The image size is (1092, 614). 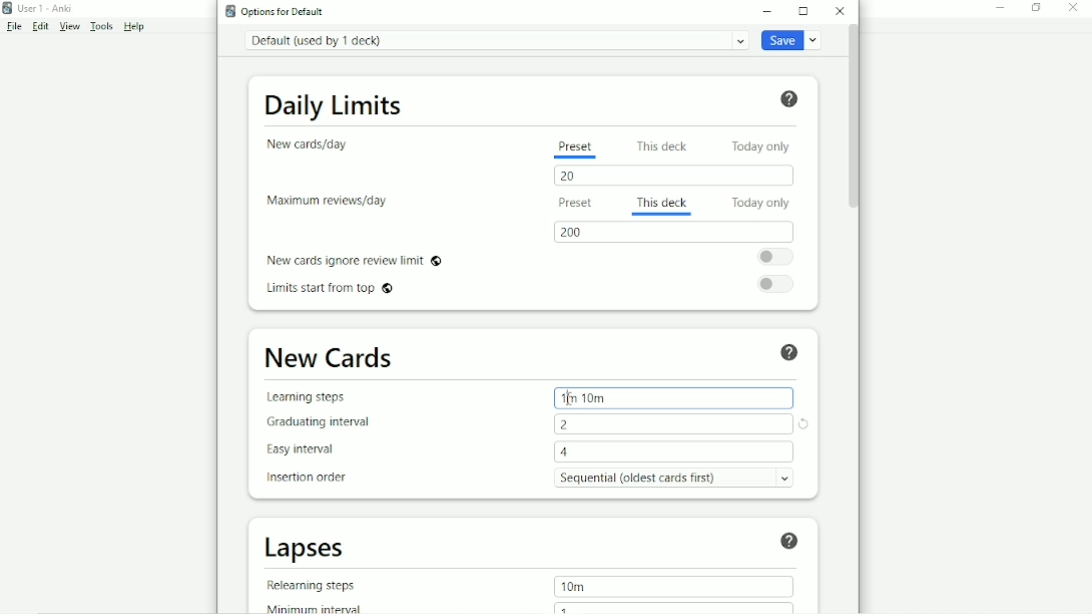 What do you see at coordinates (308, 399) in the screenshot?
I see `Learning steps` at bounding box center [308, 399].